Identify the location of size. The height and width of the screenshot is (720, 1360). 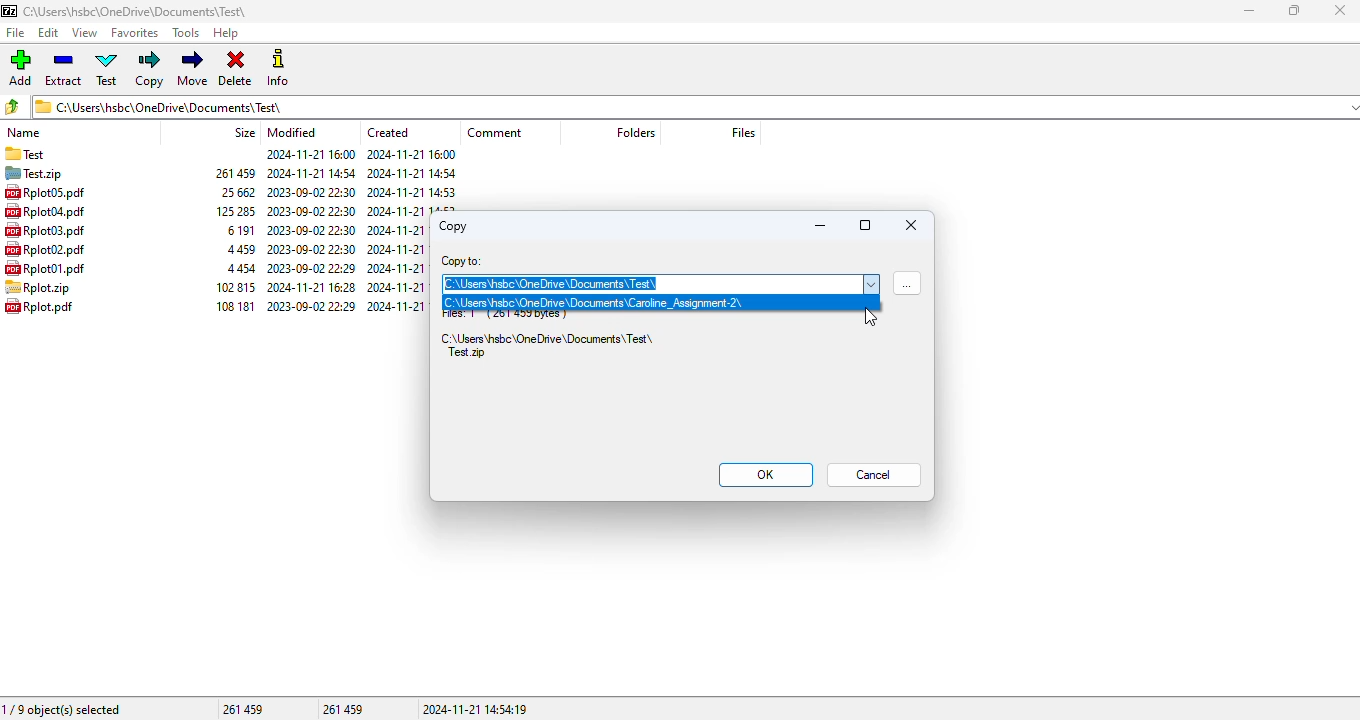
(233, 211).